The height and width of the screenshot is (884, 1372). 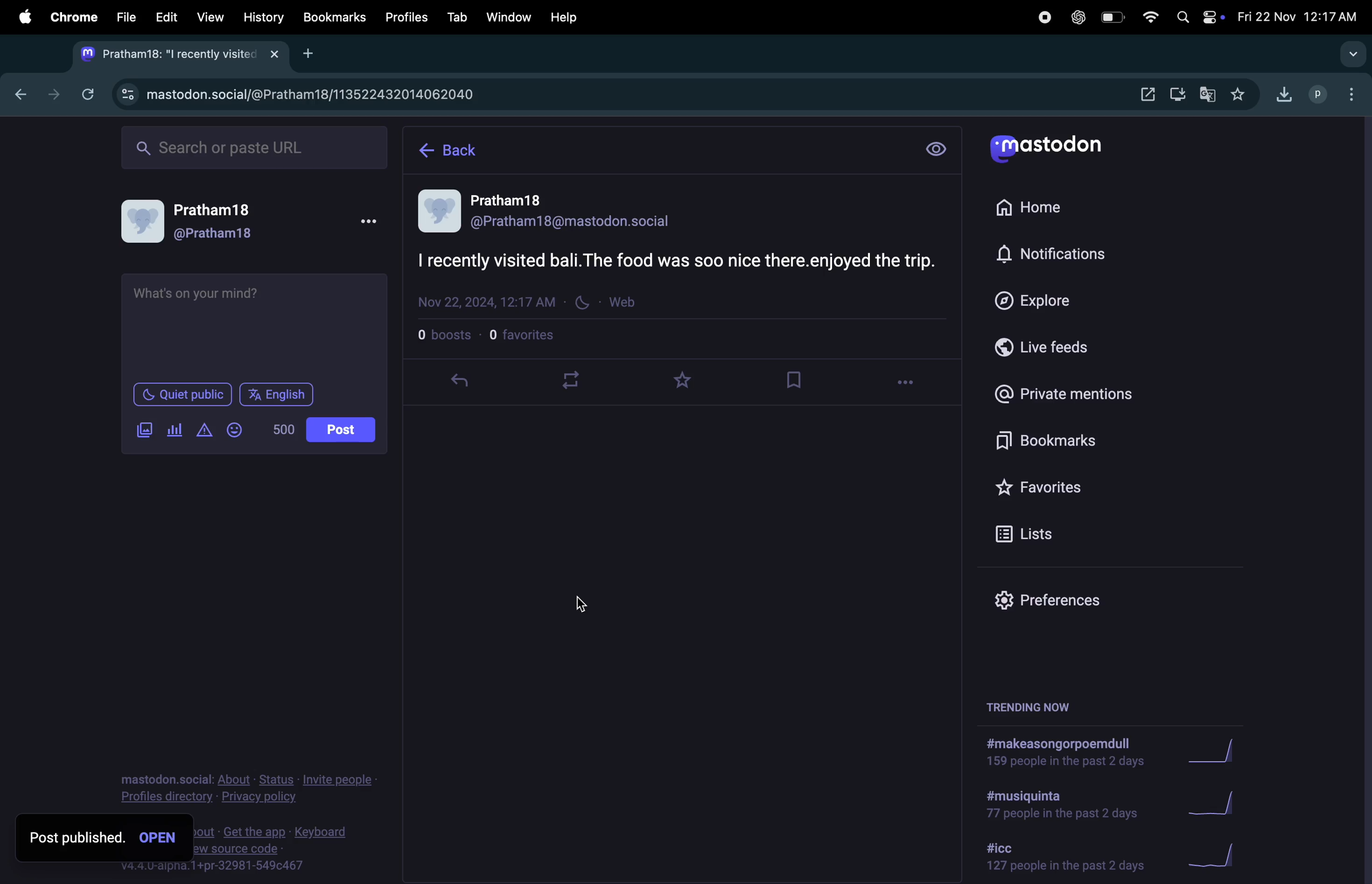 What do you see at coordinates (123, 17) in the screenshot?
I see `file` at bounding box center [123, 17].